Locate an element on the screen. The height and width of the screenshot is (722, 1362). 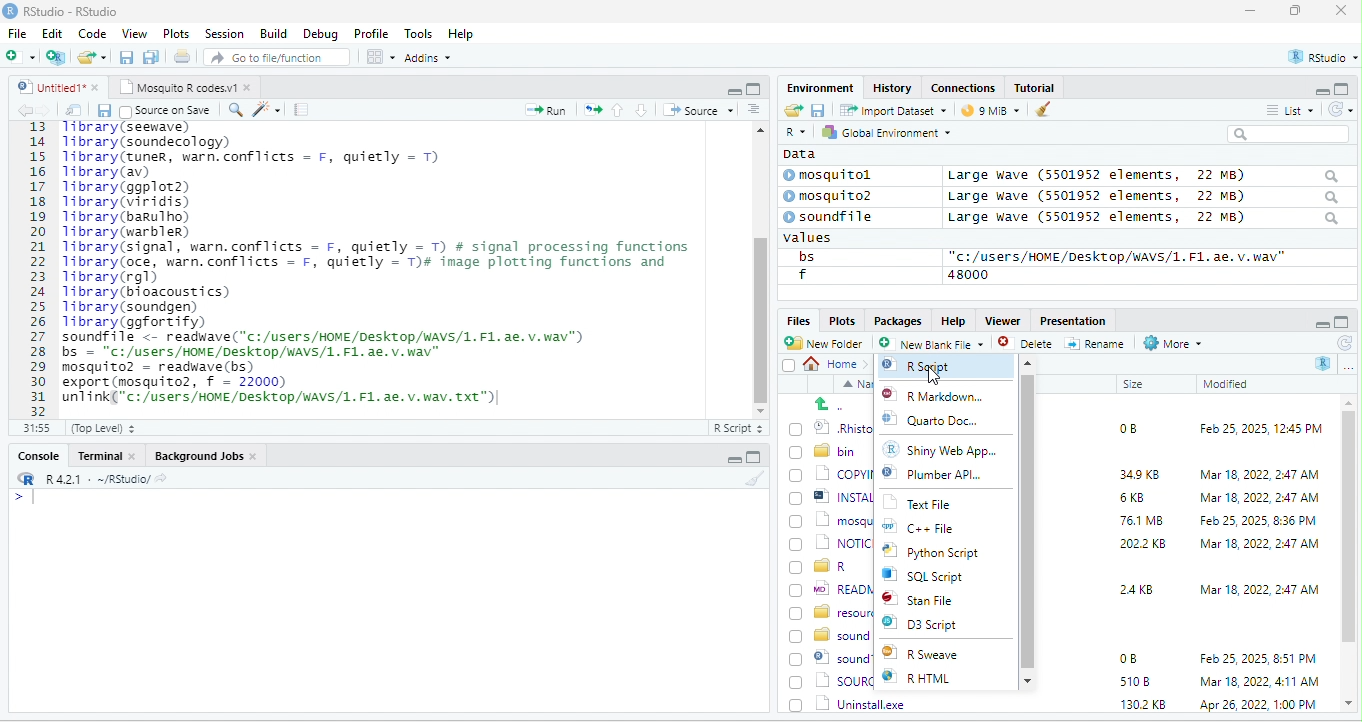
9 mb is located at coordinates (993, 112).